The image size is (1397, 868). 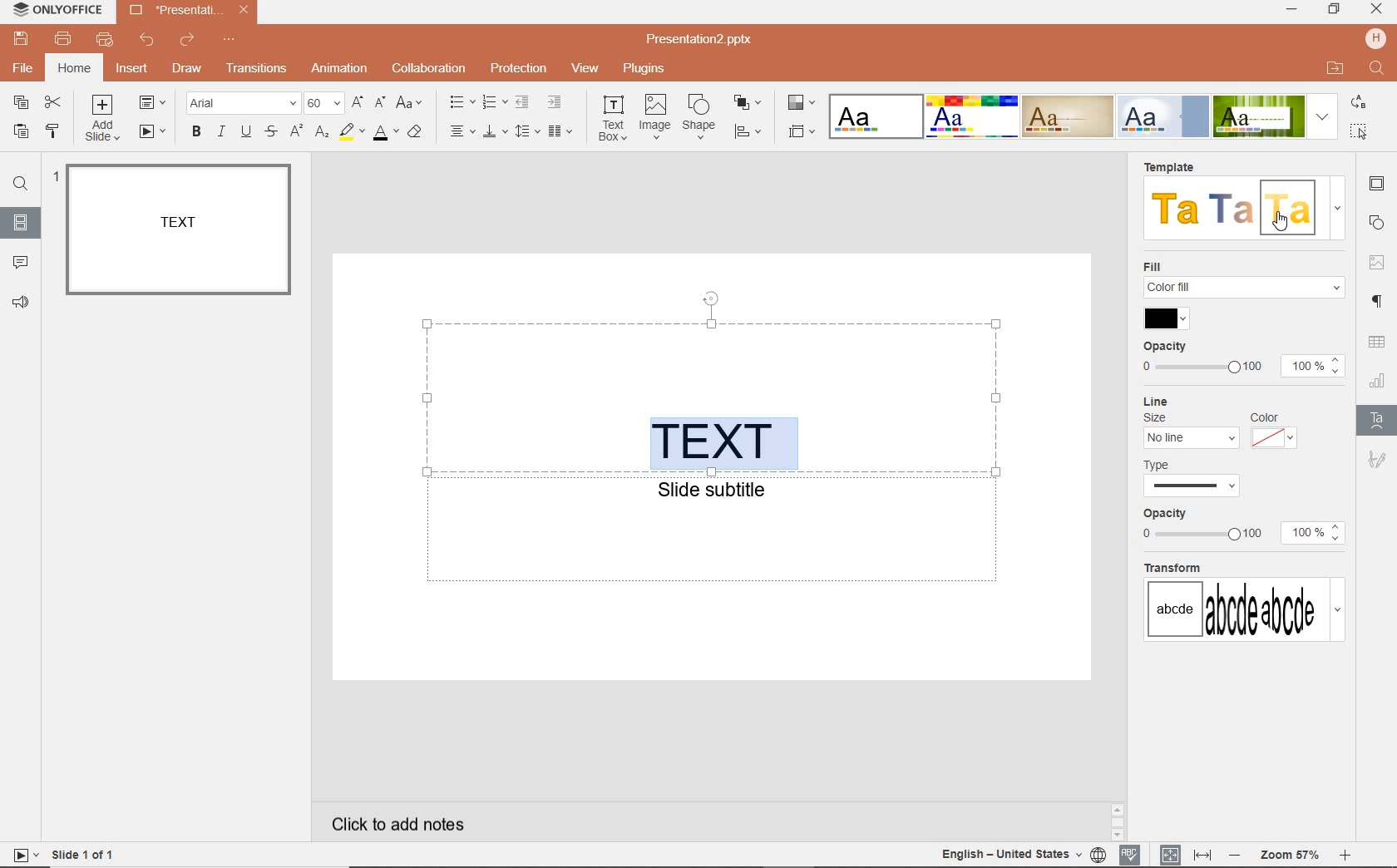 I want to click on DECREASE INDENT, so click(x=522, y=104).